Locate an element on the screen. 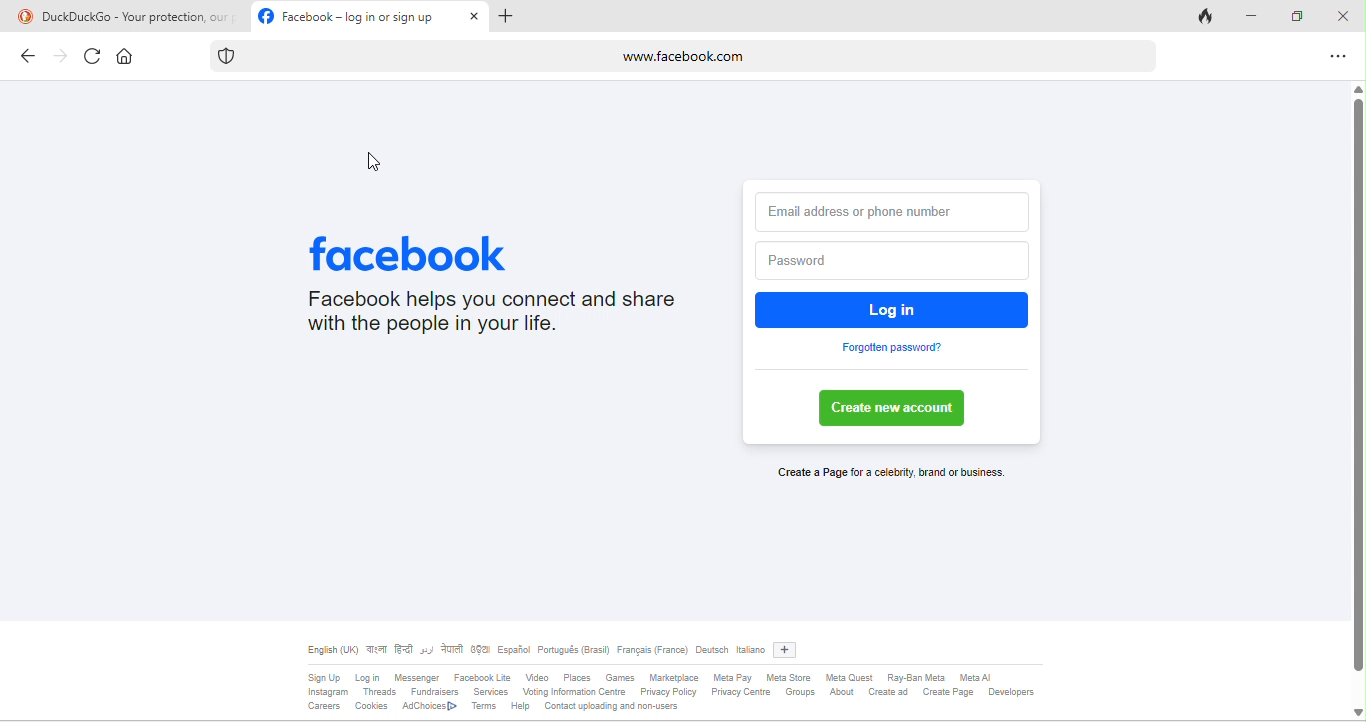 This screenshot has width=1366, height=722. minimize is located at coordinates (1260, 18).